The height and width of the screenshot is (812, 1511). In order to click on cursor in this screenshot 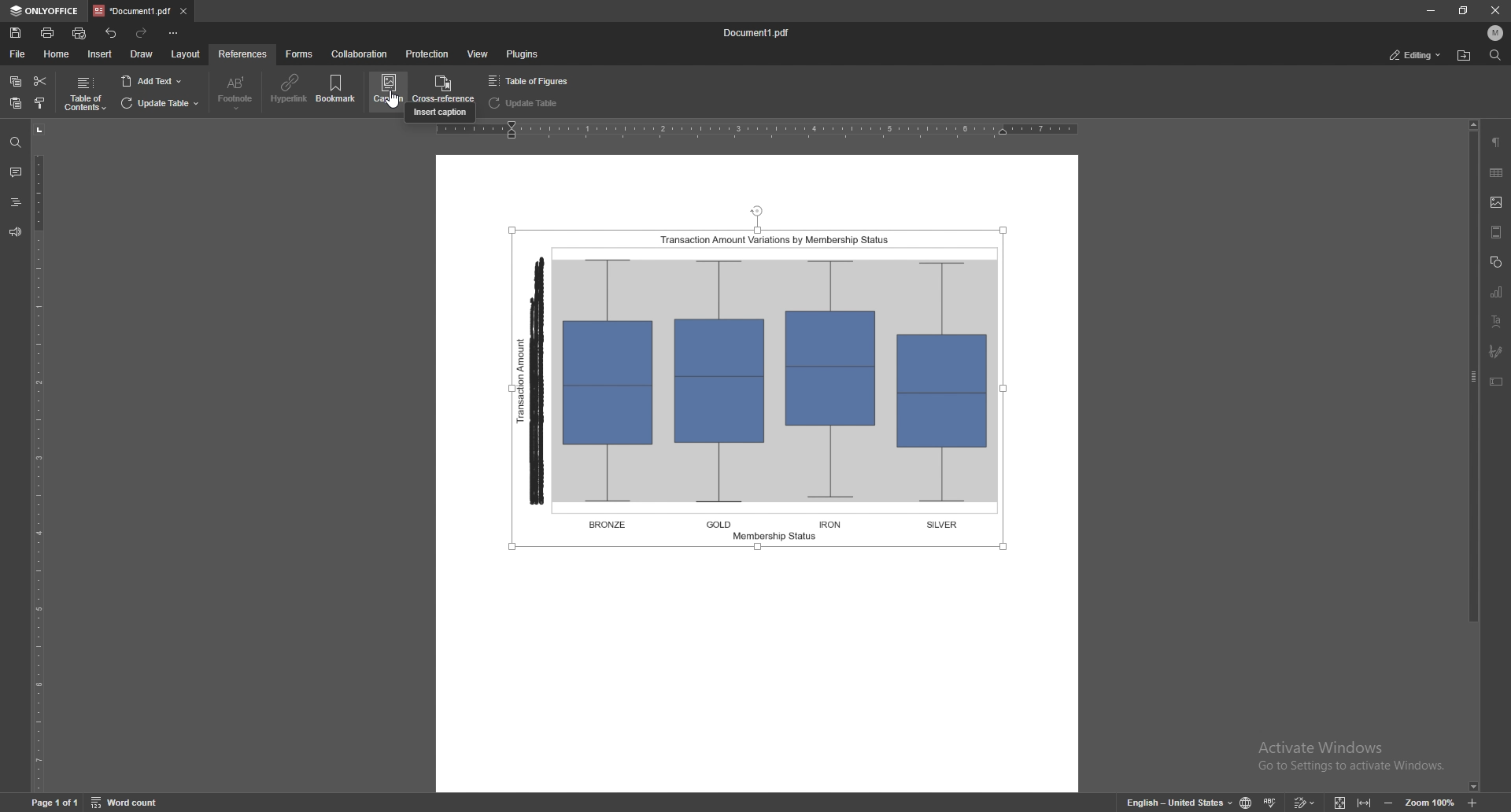, I will do `click(395, 112)`.